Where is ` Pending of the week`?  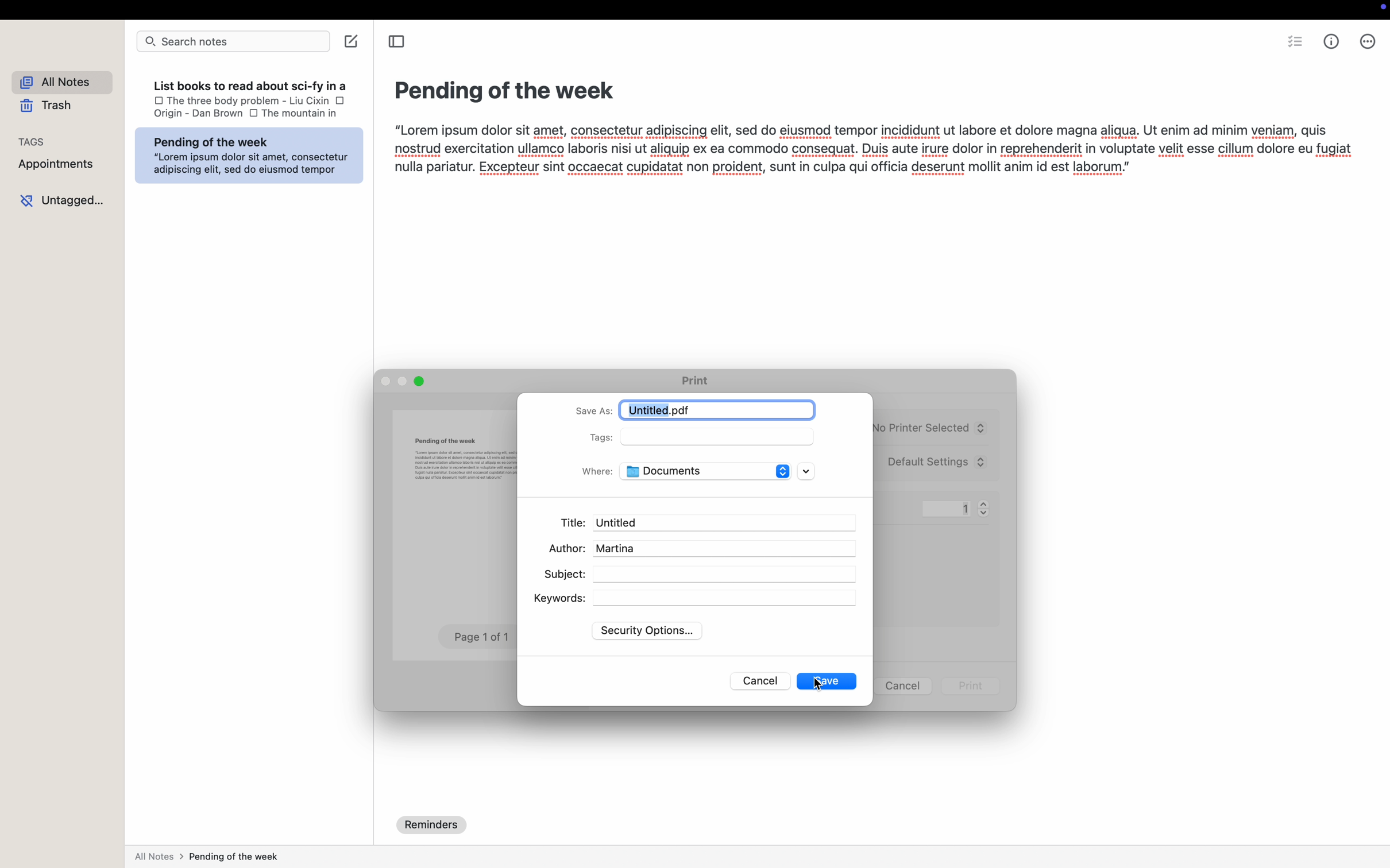
 Pending of the week is located at coordinates (502, 88).